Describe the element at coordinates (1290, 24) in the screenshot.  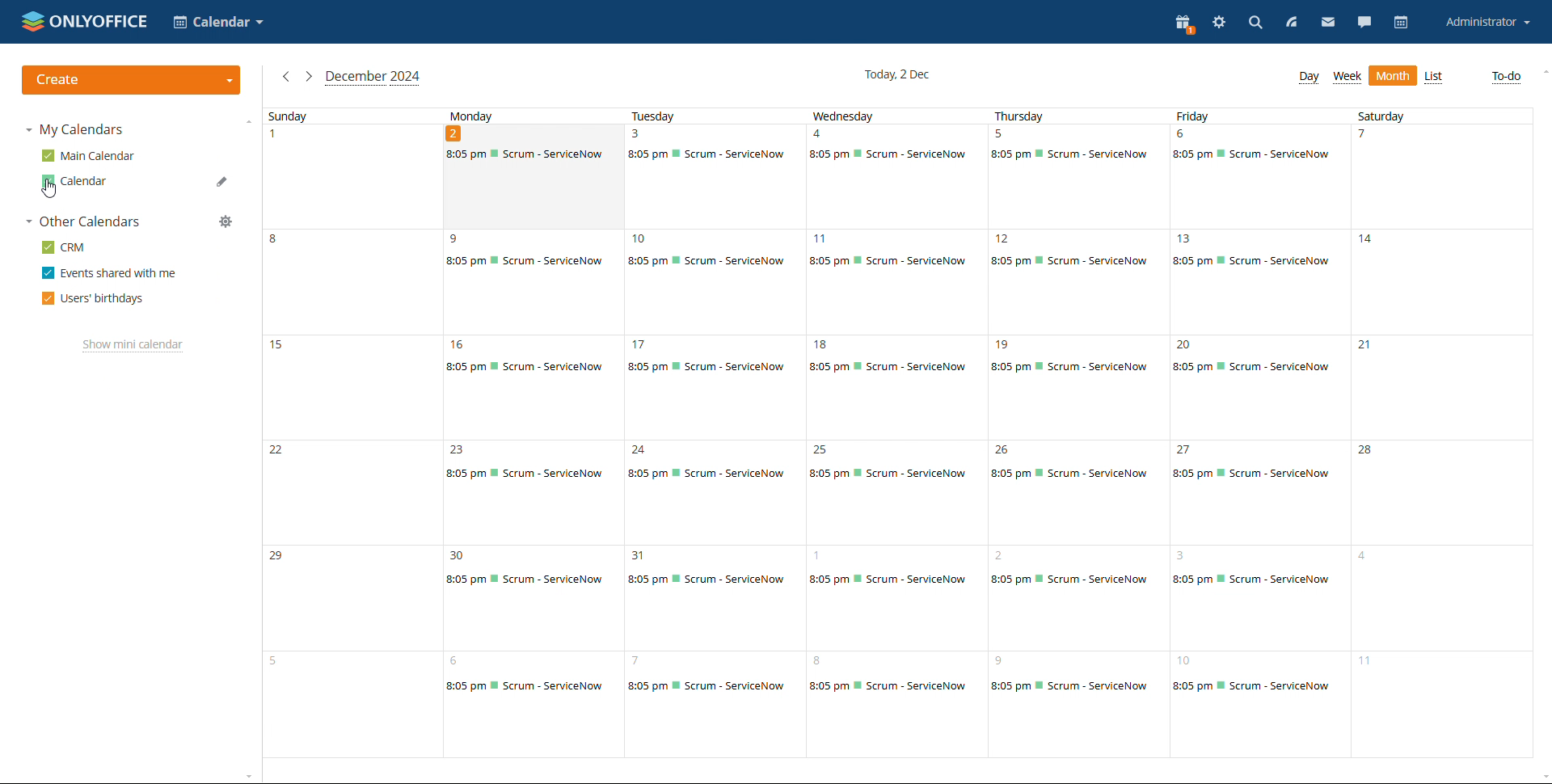
I see `feed` at that location.